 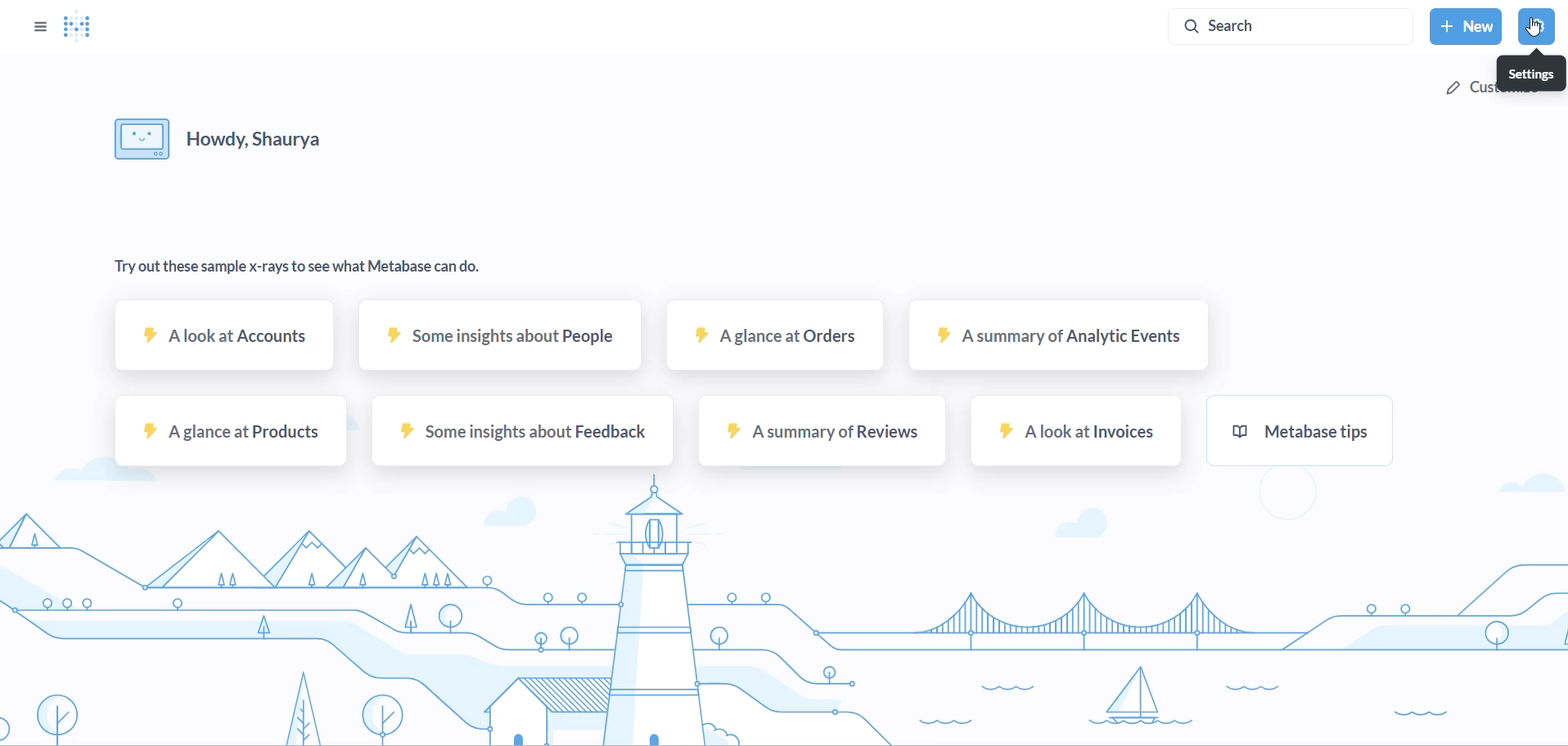 I want to click on SETTINGS, so click(x=1530, y=74).